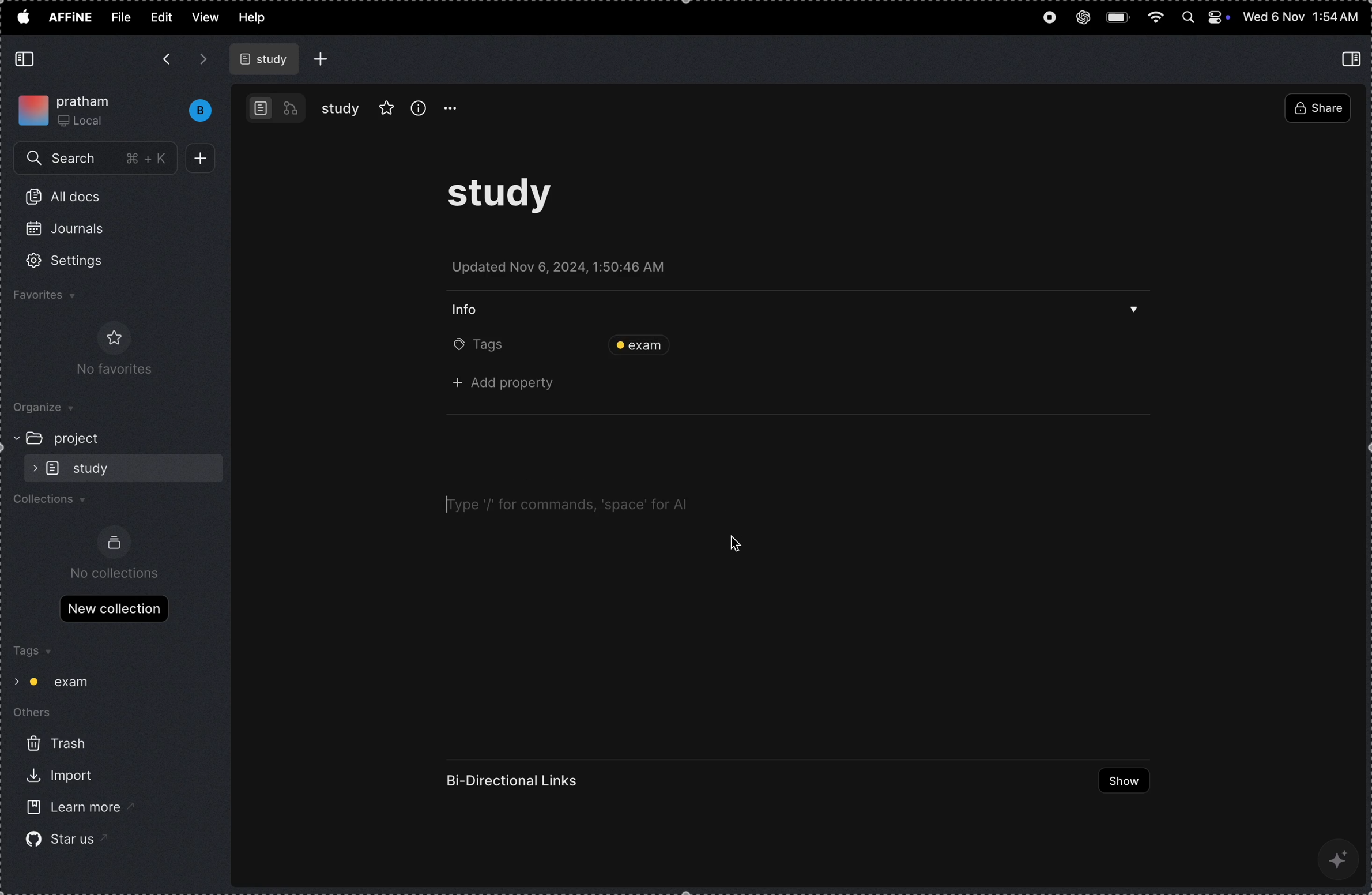  I want to click on journals, so click(73, 234).